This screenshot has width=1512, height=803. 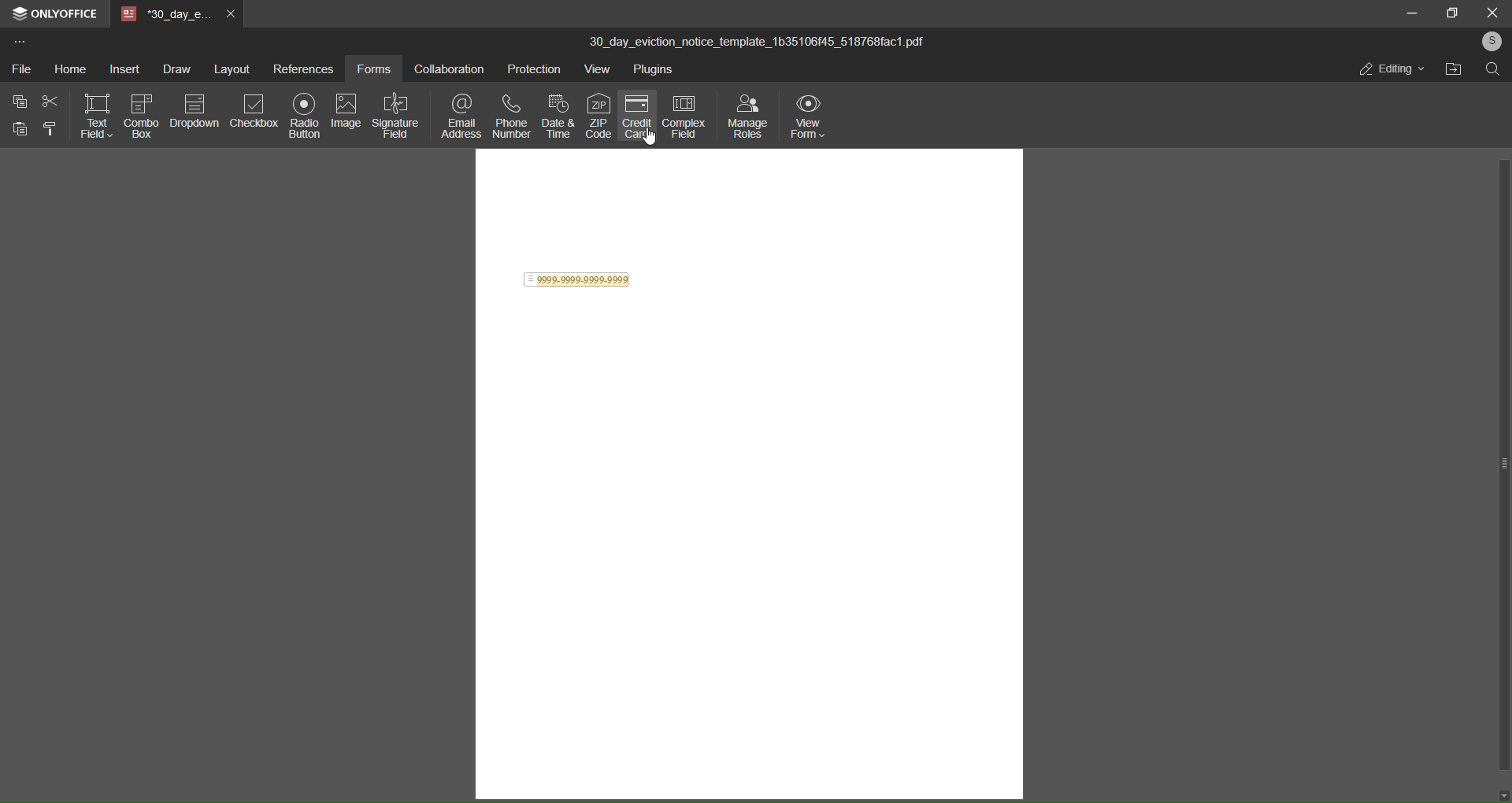 I want to click on editing, so click(x=1388, y=68).